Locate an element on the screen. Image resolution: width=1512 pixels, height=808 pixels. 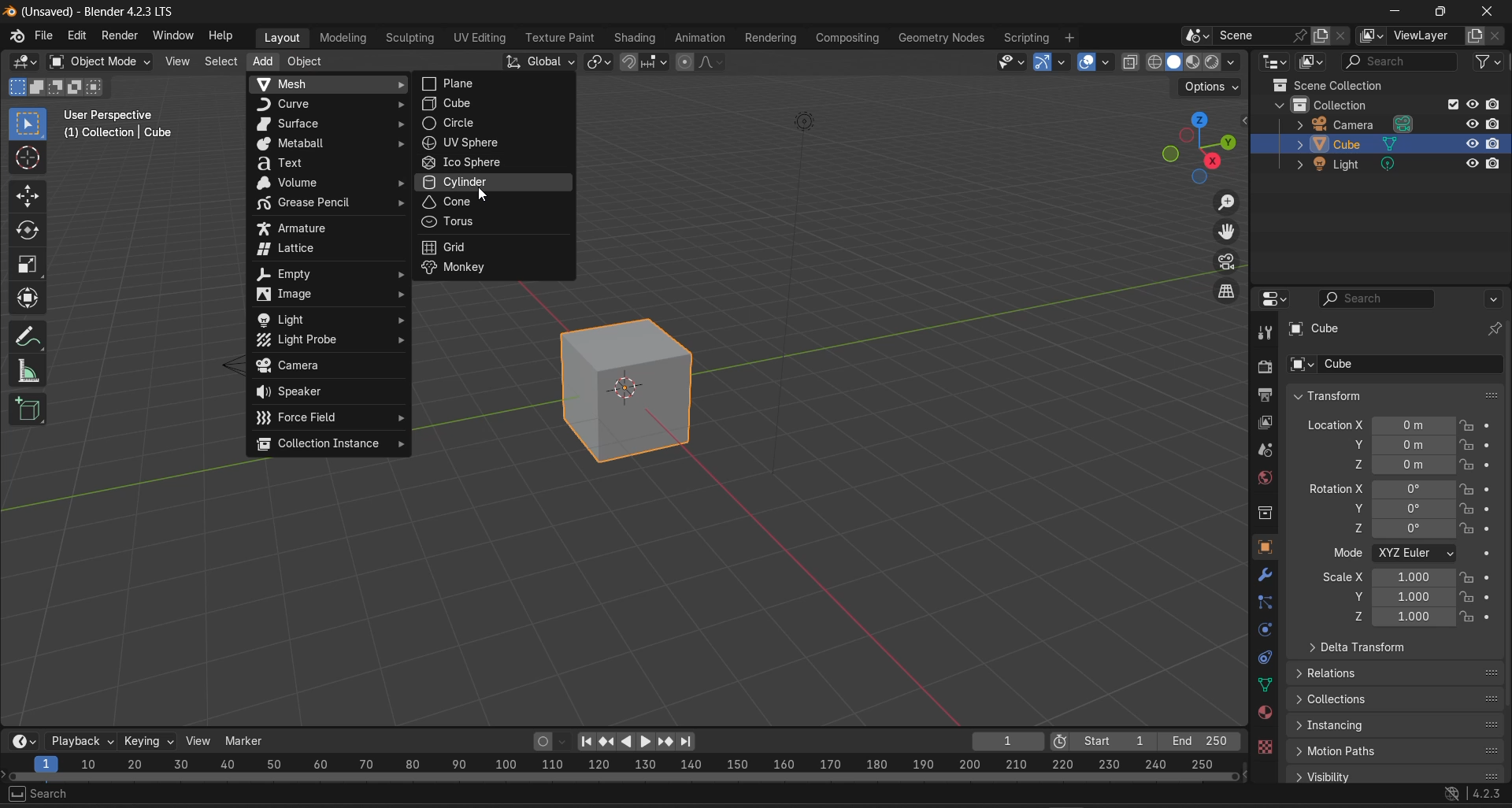
circle is located at coordinates (495, 124).